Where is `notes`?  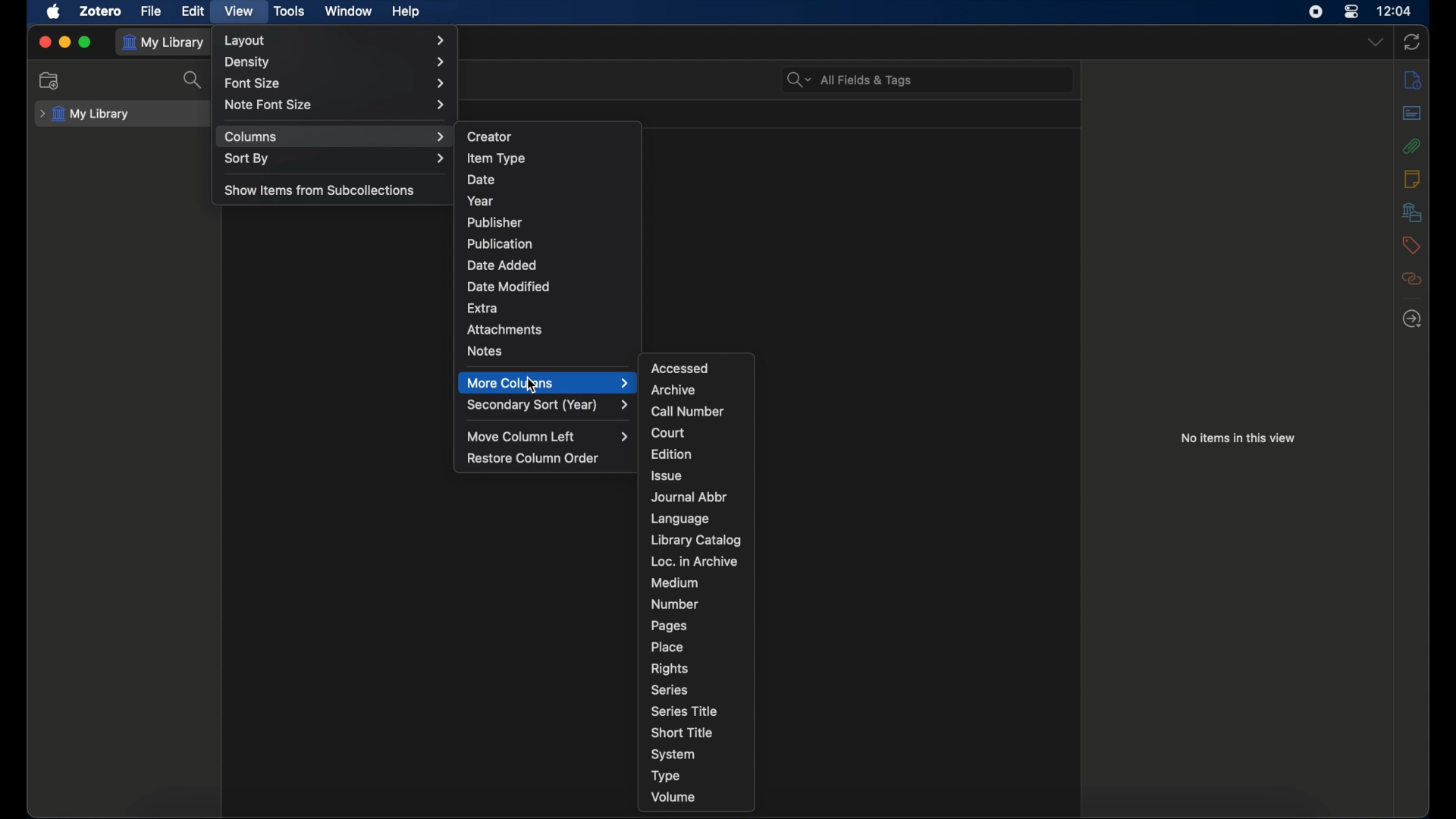 notes is located at coordinates (485, 350).